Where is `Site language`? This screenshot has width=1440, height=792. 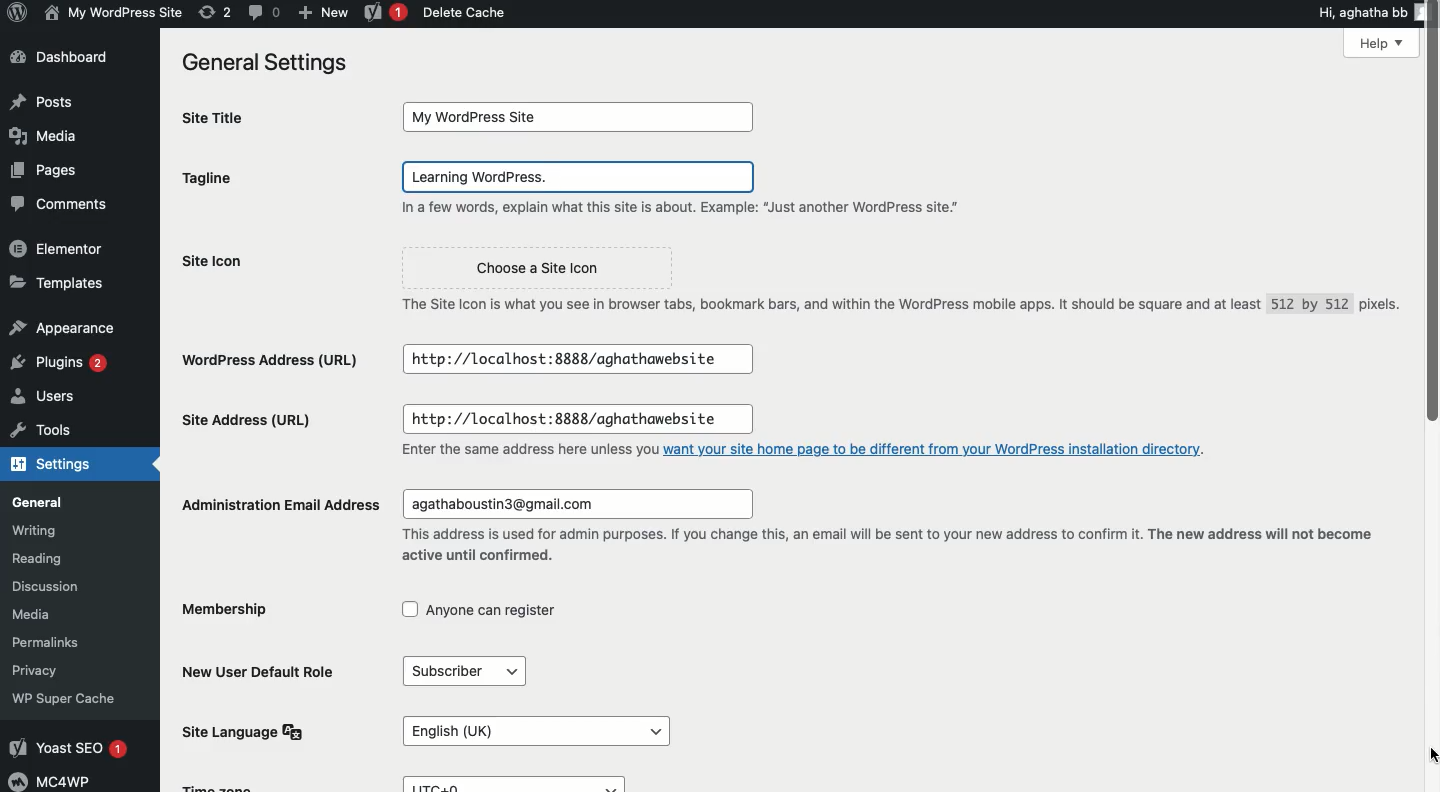
Site language is located at coordinates (241, 731).